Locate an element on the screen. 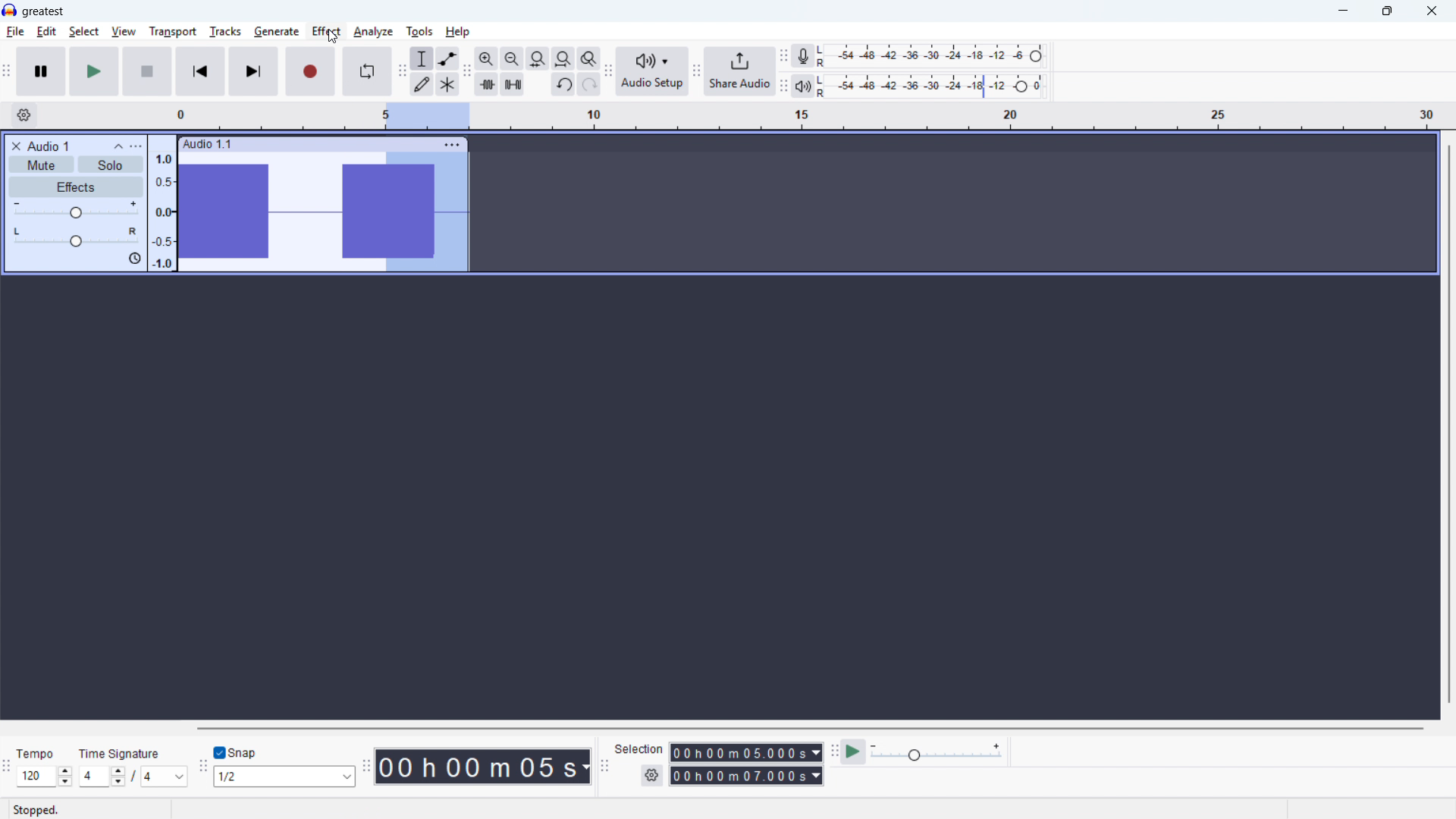  sync-lock is on is located at coordinates (134, 259).